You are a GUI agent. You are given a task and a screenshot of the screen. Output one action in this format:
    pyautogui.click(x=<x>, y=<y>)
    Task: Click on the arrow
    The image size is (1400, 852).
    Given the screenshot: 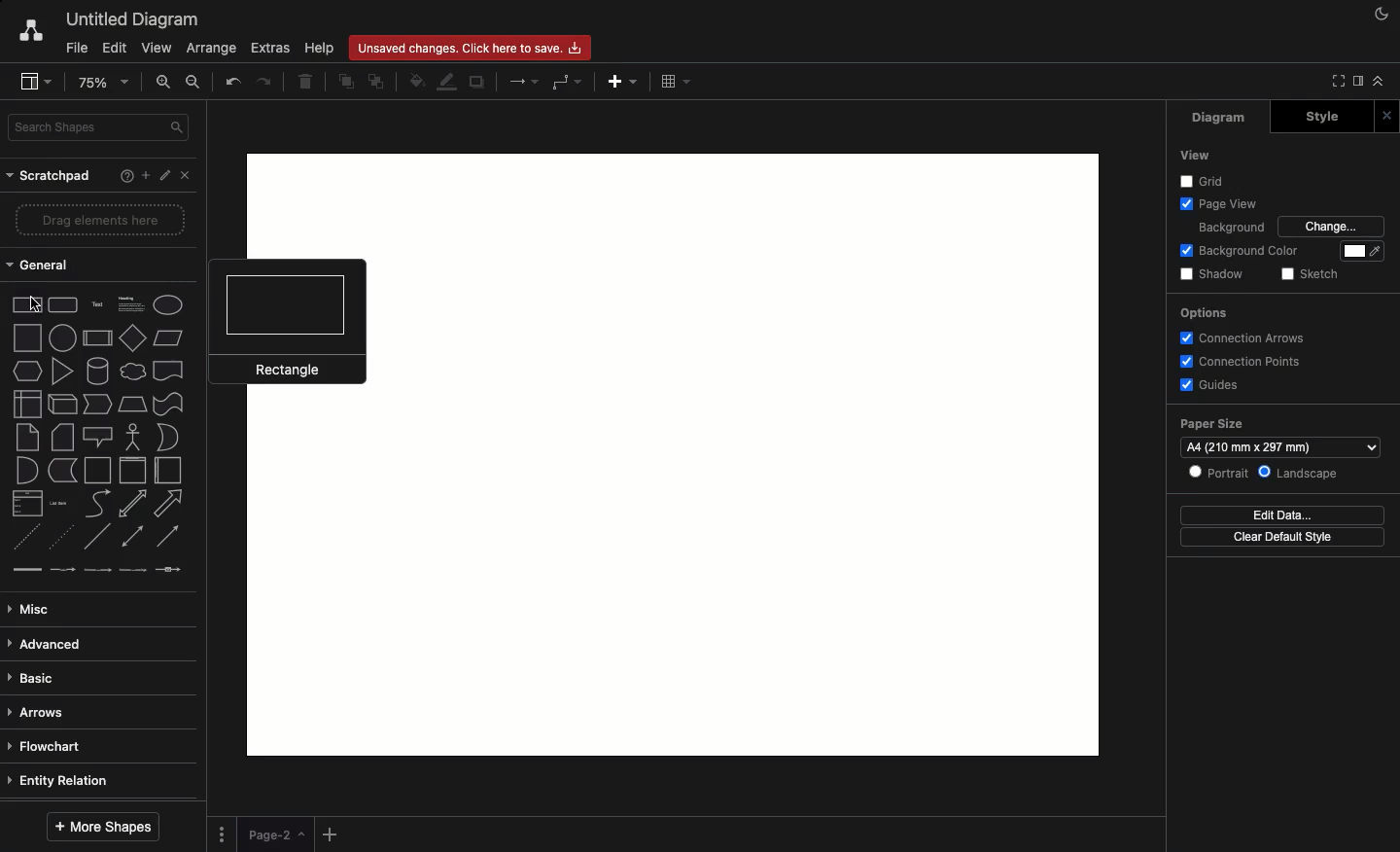 What is the action you would take?
    pyautogui.click(x=169, y=506)
    